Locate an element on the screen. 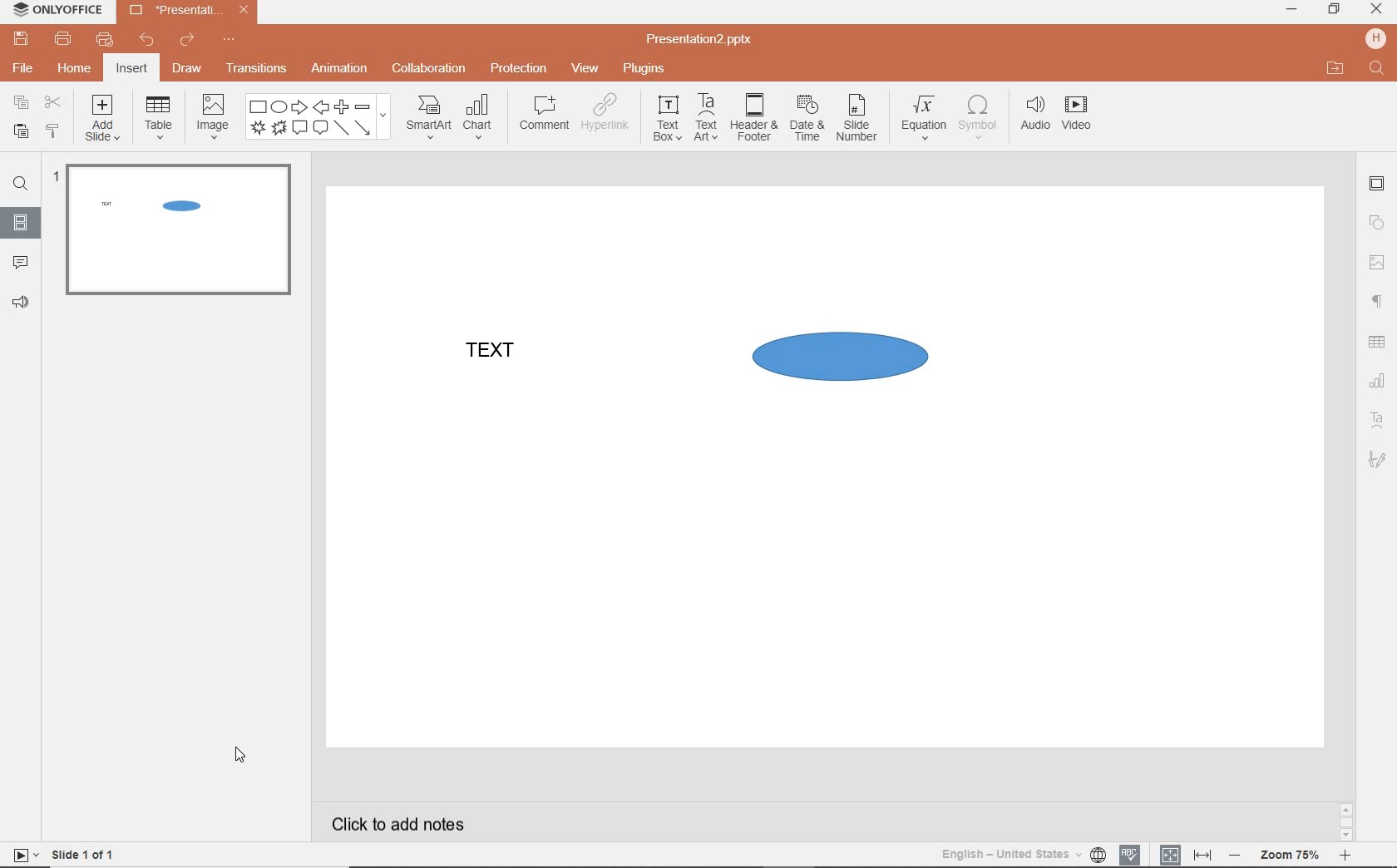 The width and height of the screenshot is (1397, 868). copy style is located at coordinates (52, 131).